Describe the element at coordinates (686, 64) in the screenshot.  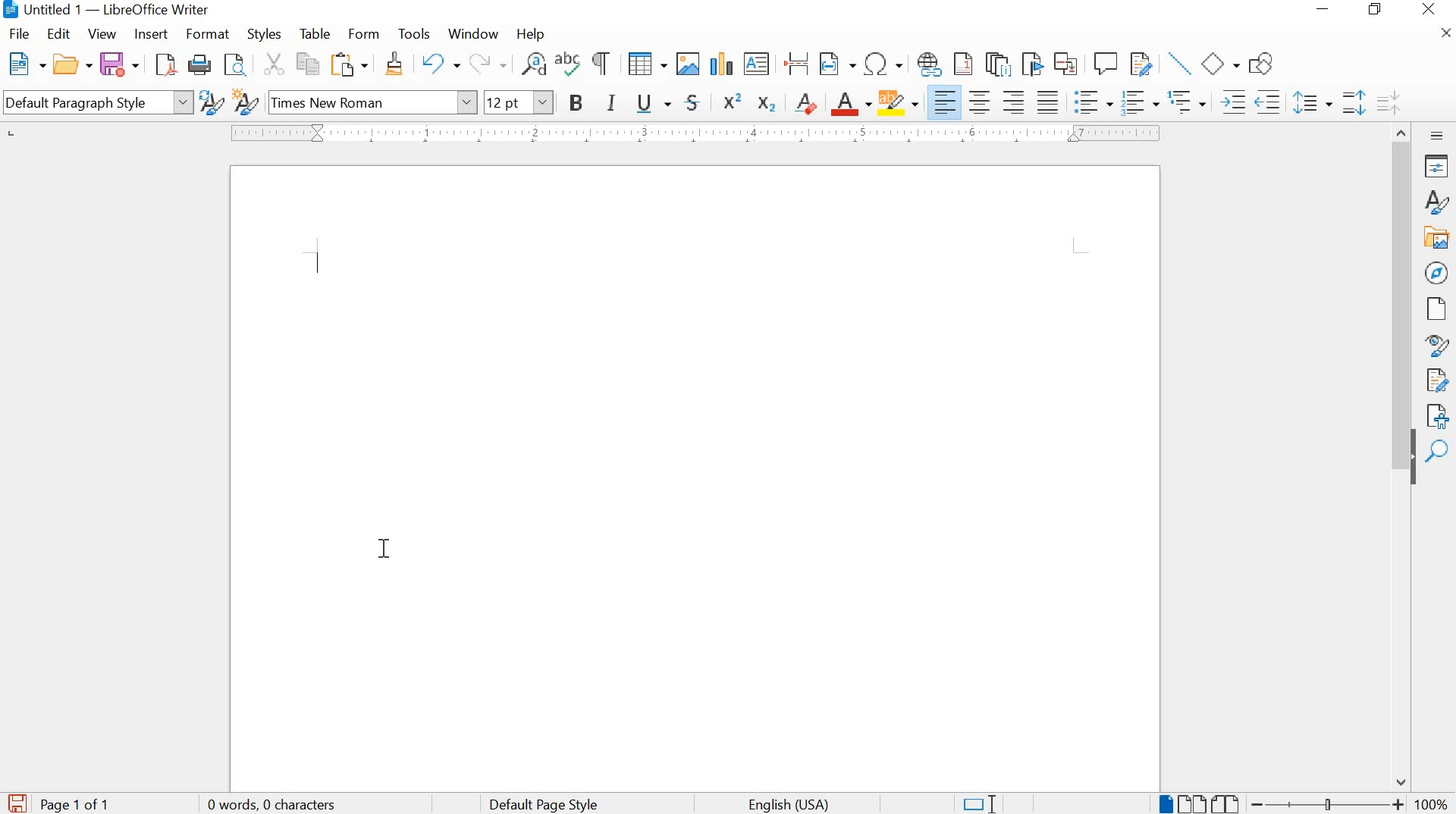
I see `INSERT IMAGE` at that location.